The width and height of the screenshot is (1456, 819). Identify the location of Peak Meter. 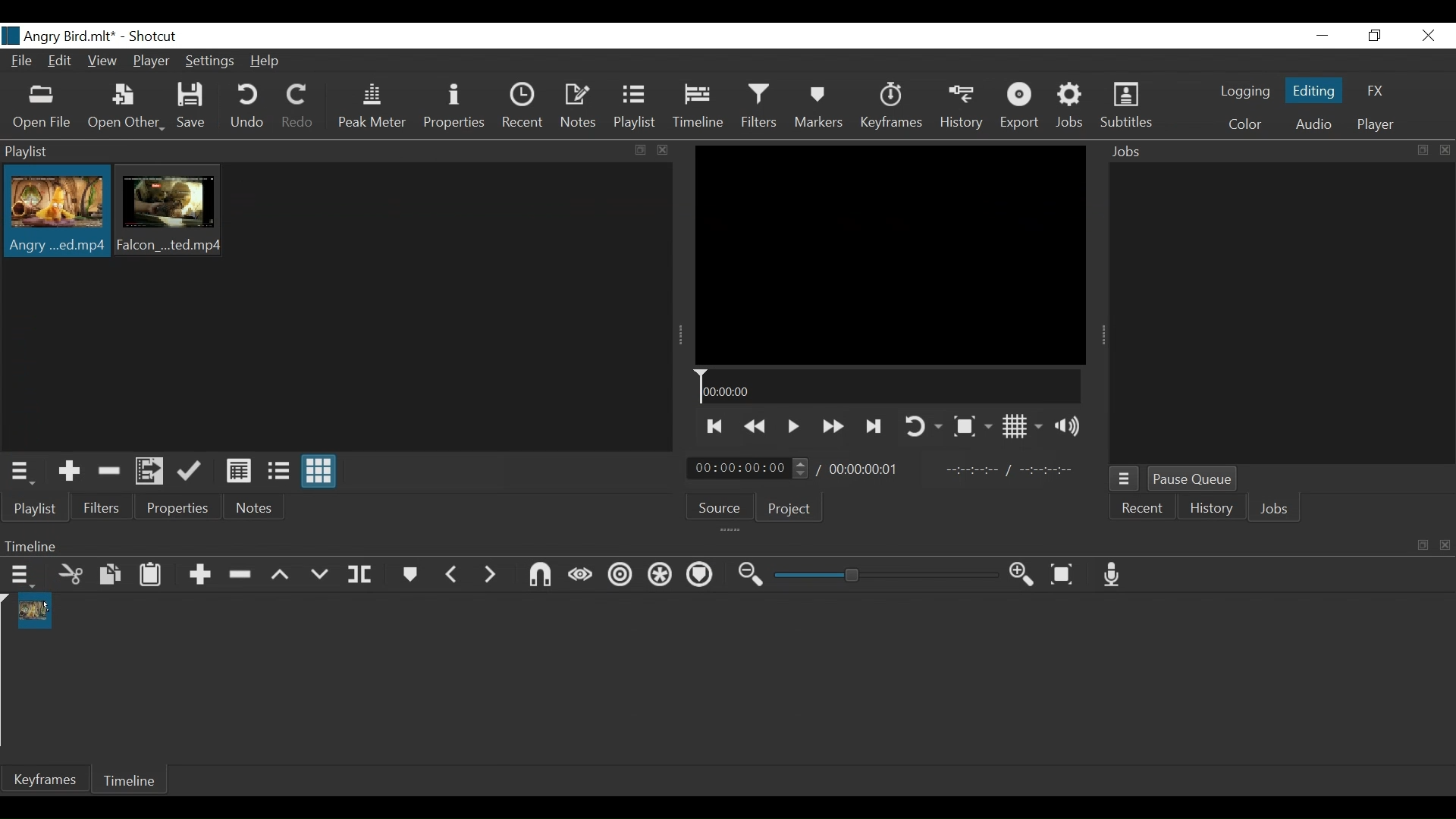
(370, 110).